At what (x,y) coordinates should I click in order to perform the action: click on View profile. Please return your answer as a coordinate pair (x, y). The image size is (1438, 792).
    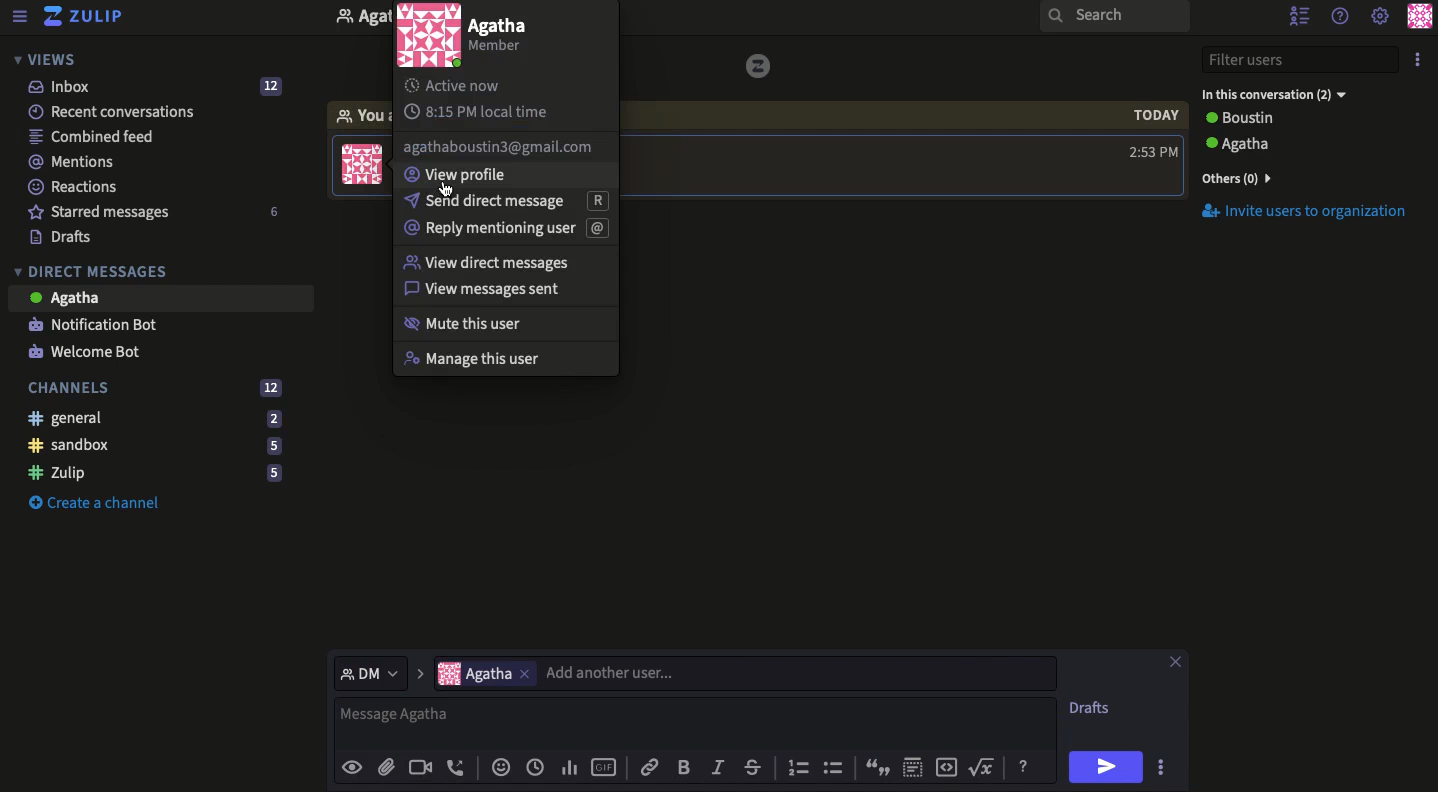
    Looking at the image, I should click on (459, 176).